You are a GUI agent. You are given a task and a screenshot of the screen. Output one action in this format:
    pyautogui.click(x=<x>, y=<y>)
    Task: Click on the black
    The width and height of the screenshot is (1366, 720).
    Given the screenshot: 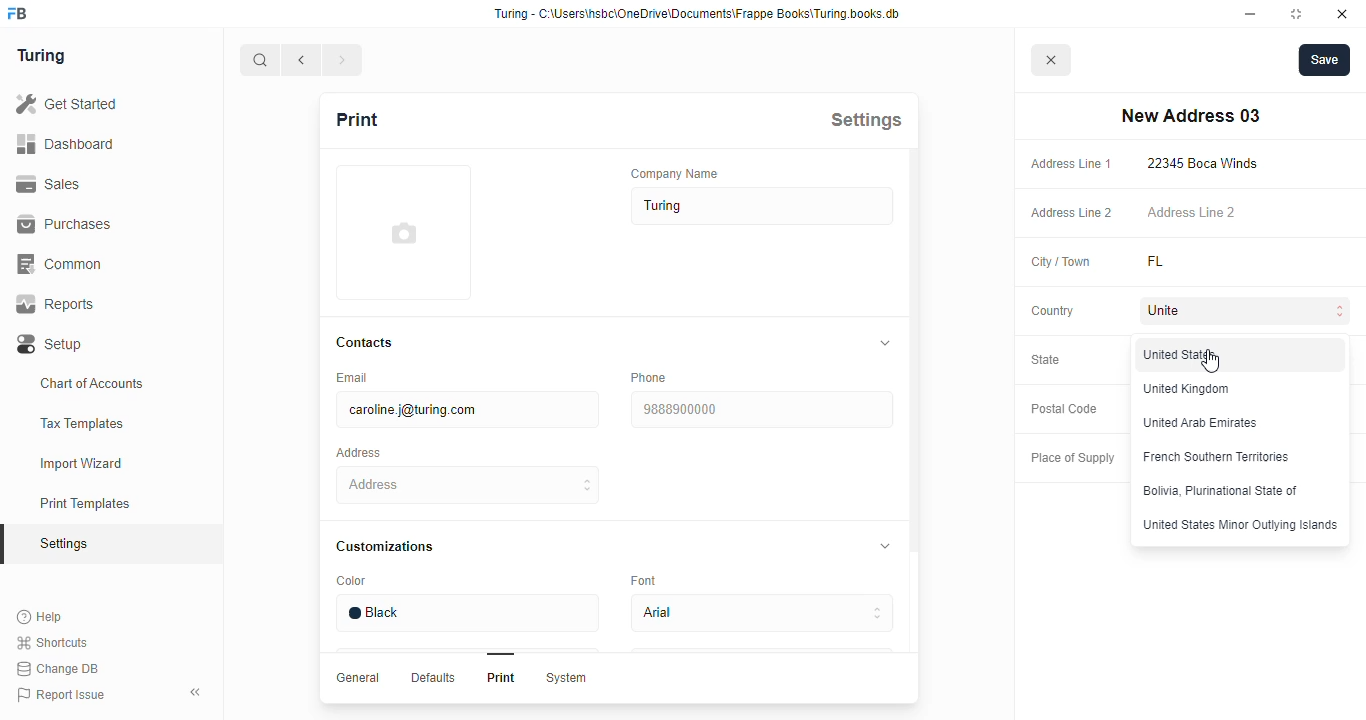 What is the action you would take?
    pyautogui.click(x=466, y=613)
    